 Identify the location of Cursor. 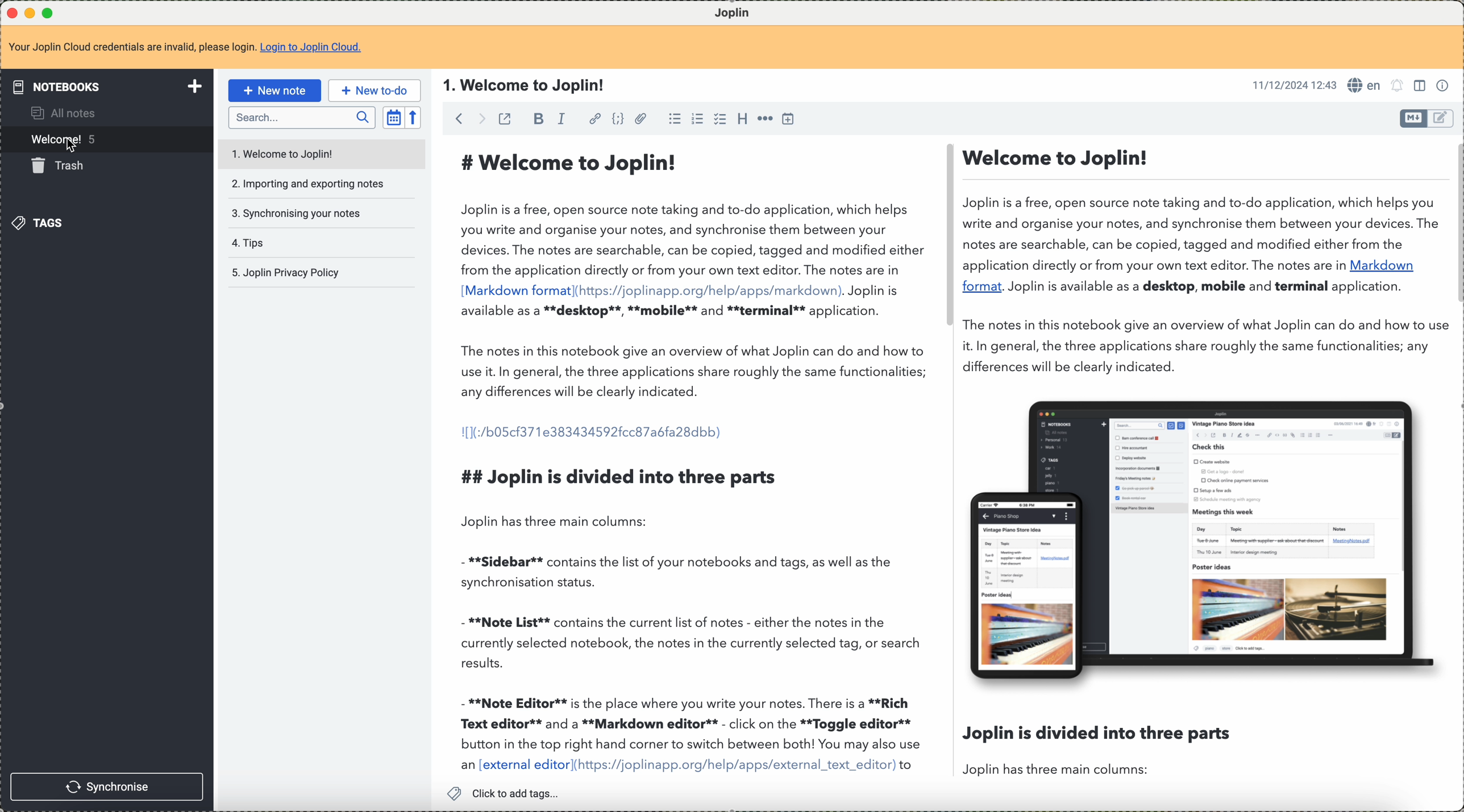
(74, 146).